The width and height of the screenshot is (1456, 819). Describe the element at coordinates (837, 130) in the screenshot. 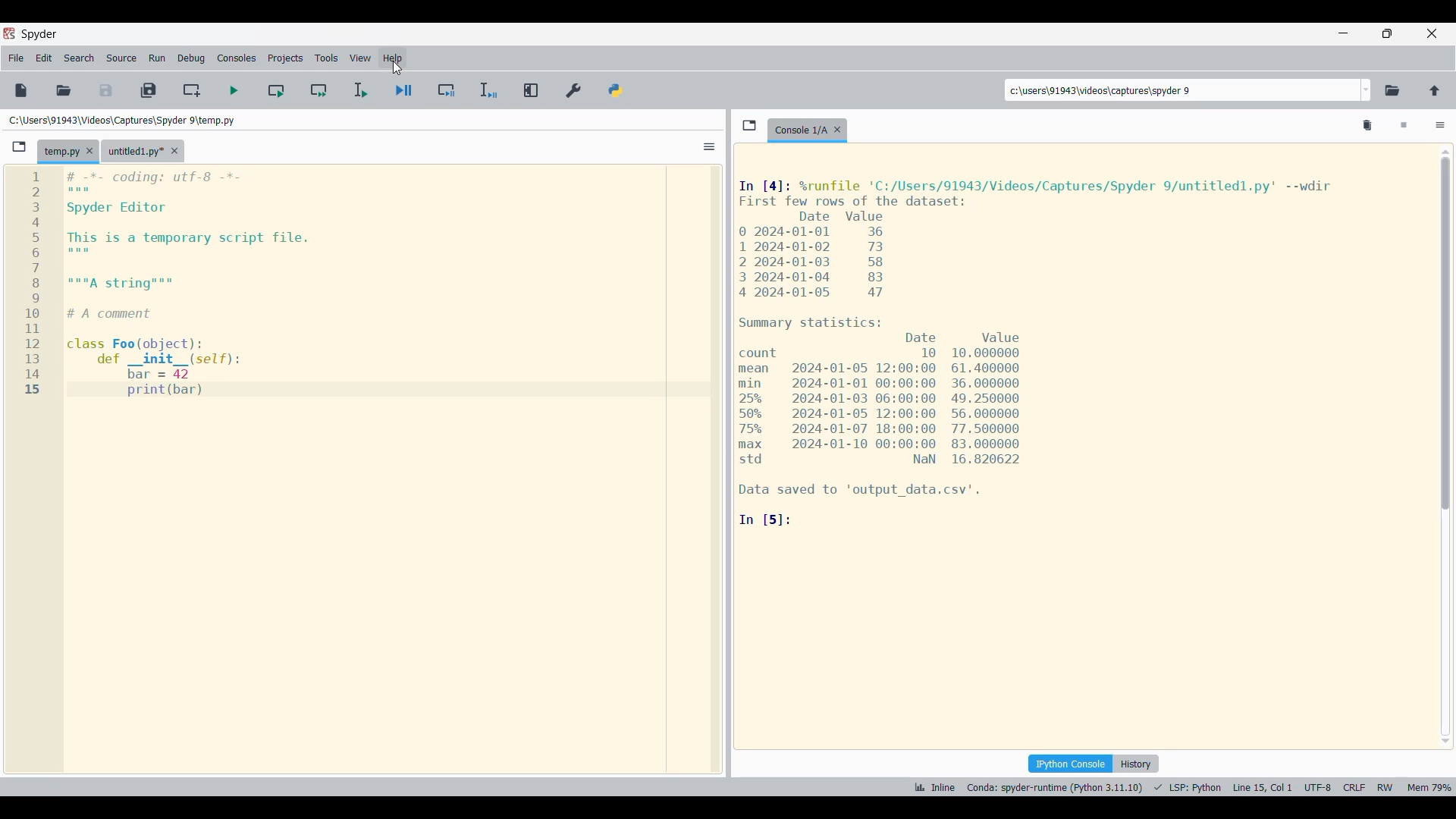

I see `Close tab` at that location.